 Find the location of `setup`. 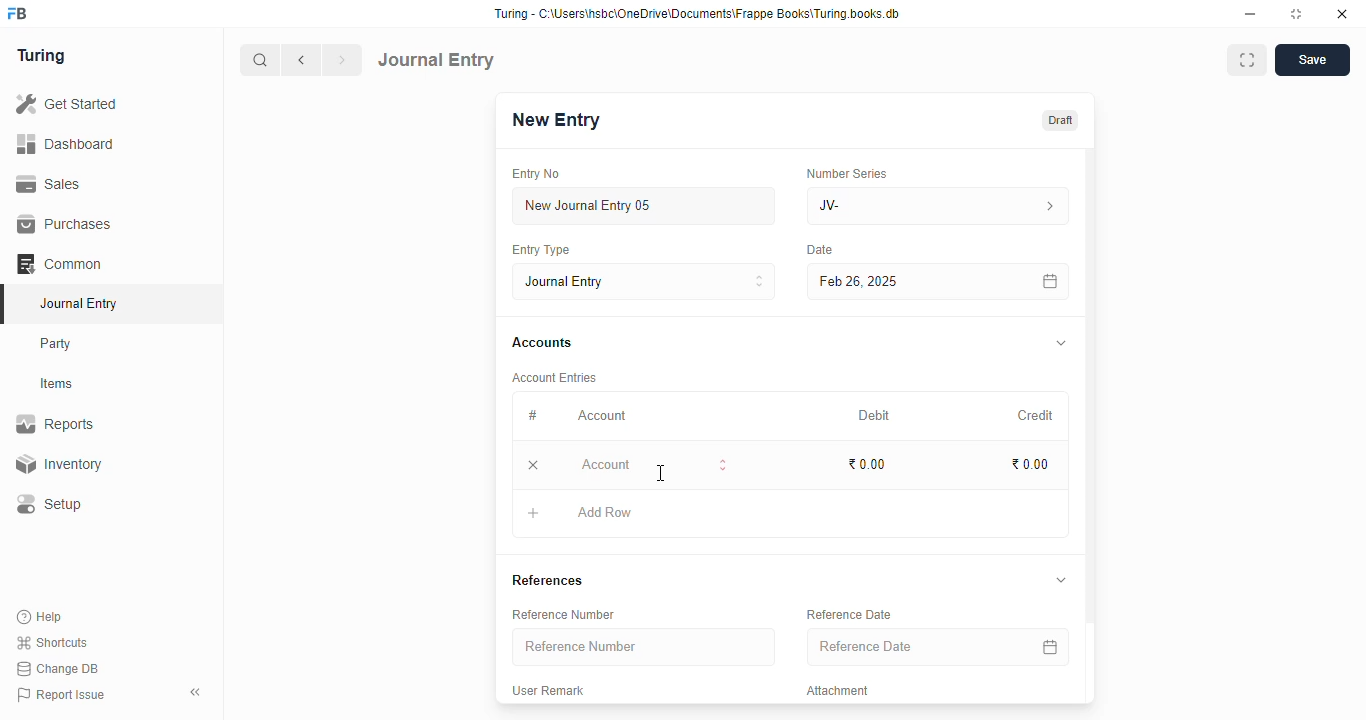

setup is located at coordinates (51, 505).